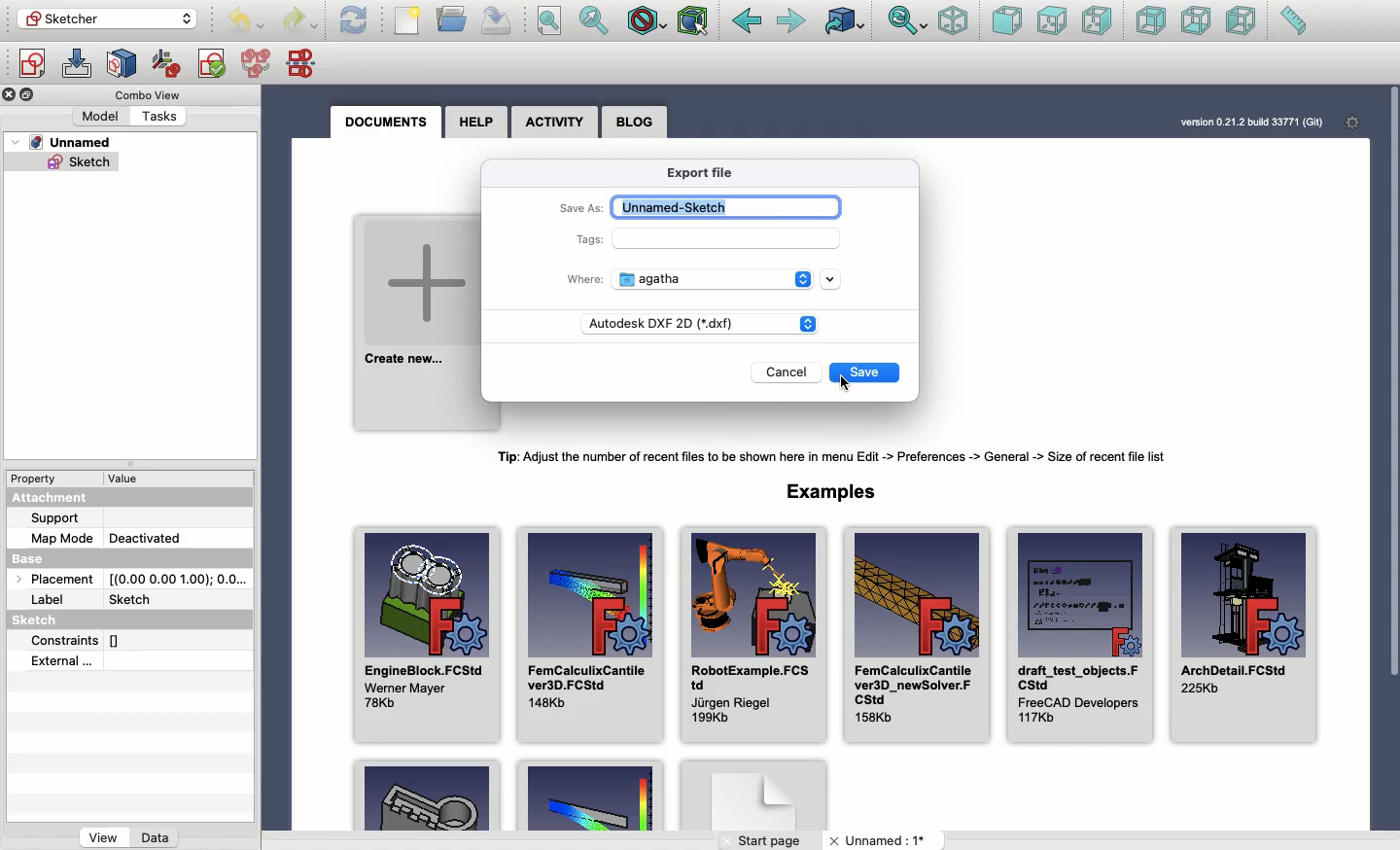 Image resolution: width=1400 pixels, height=850 pixels. I want to click on Combo view, so click(145, 94).